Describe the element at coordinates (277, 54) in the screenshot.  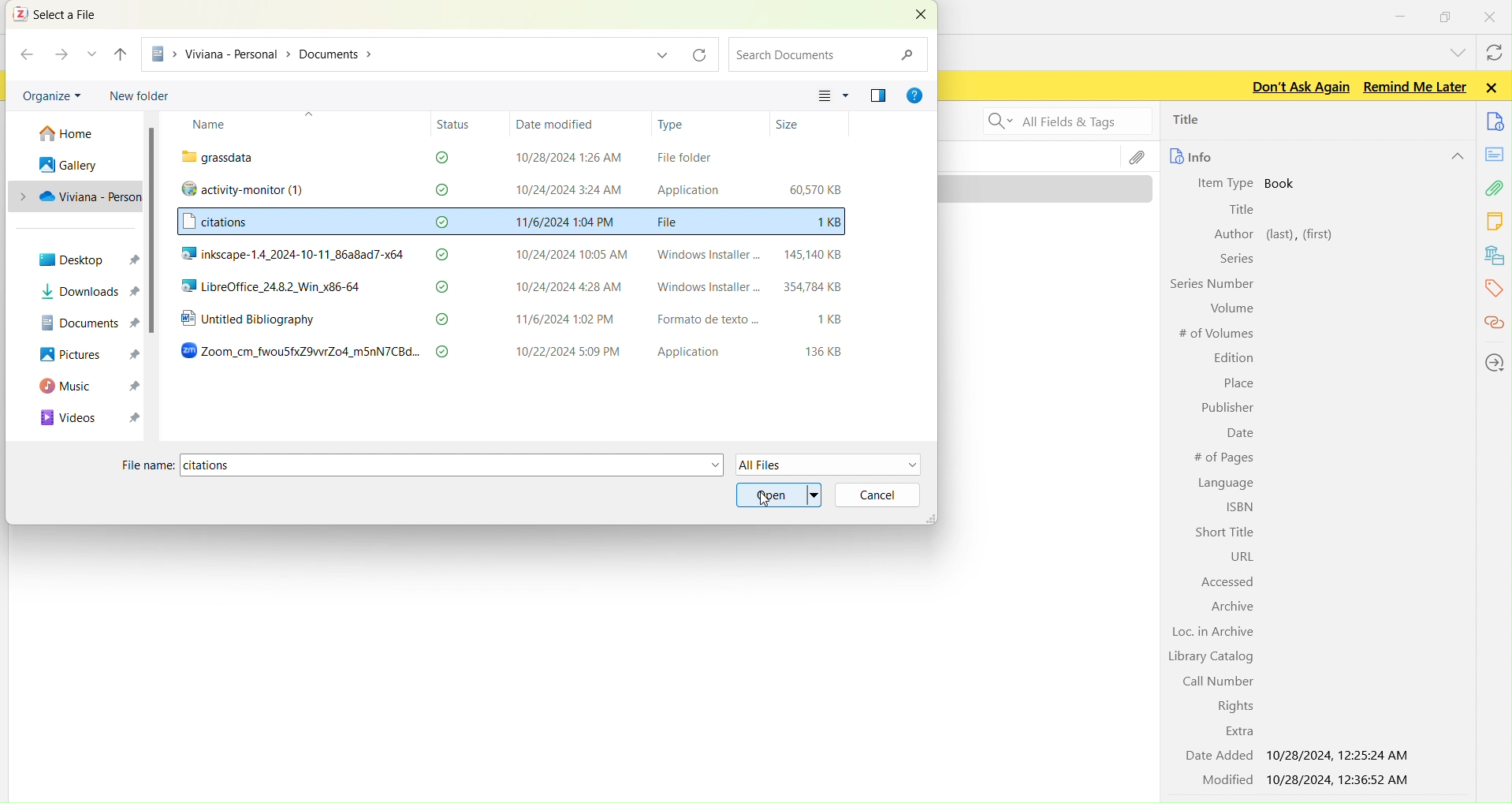
I see `PC > Viviana - Personal > Documents >` at that location.